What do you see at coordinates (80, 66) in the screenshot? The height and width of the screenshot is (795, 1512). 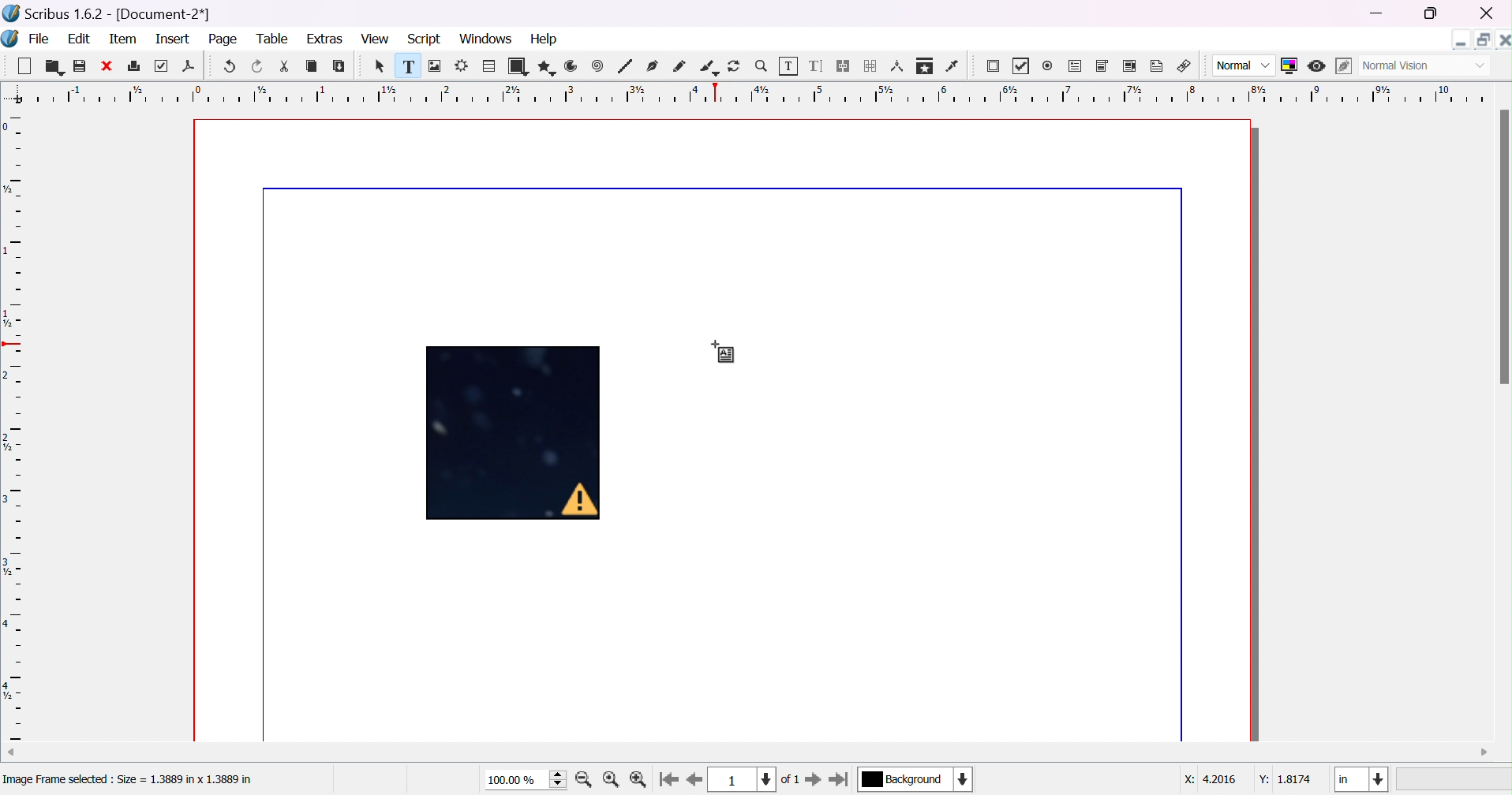 I see `save` at bounding box center [80, 66].